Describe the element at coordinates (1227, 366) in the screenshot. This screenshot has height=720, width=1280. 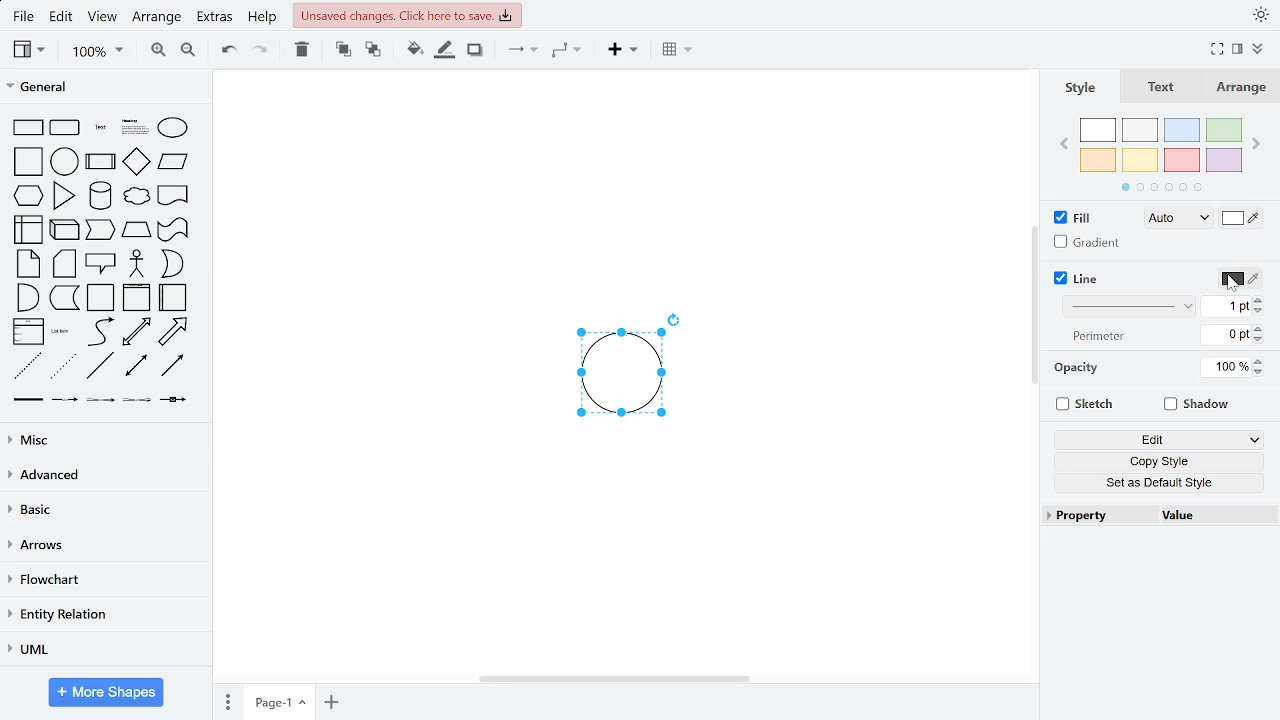
I see `change opacity` at that location.